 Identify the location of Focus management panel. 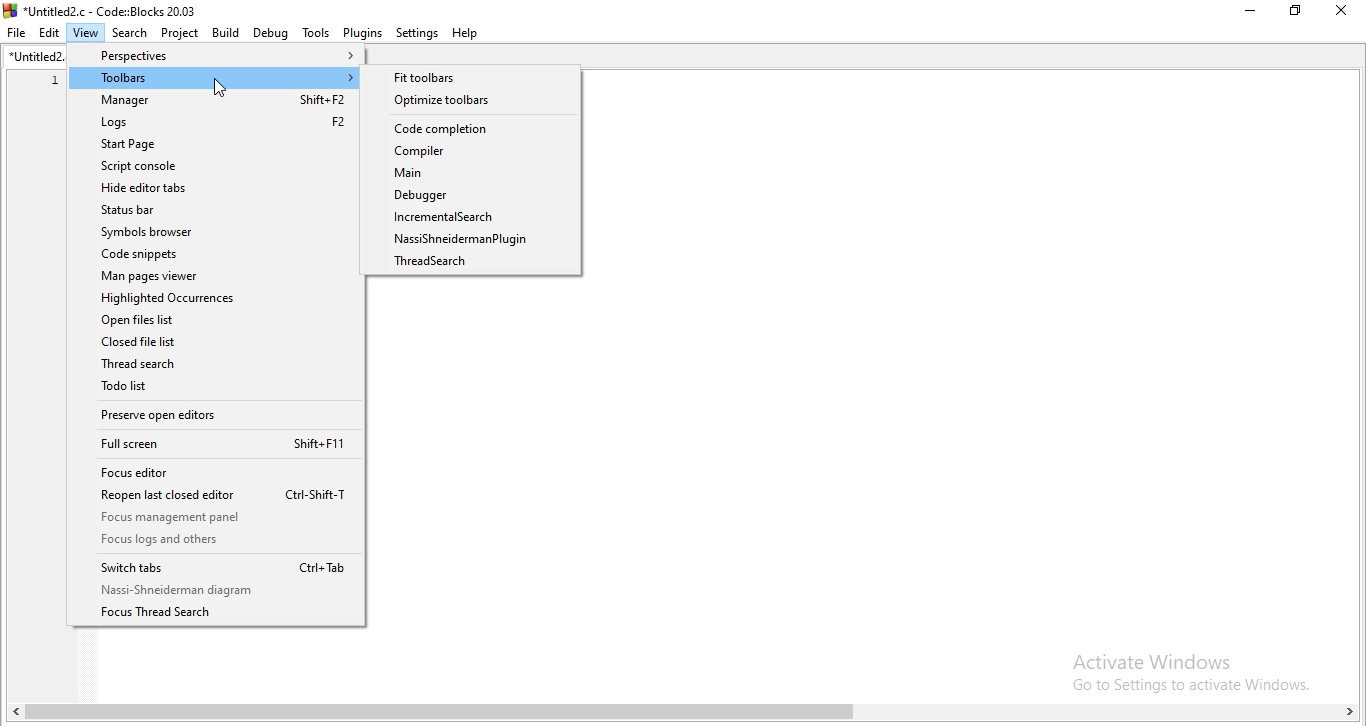
(216, 519).